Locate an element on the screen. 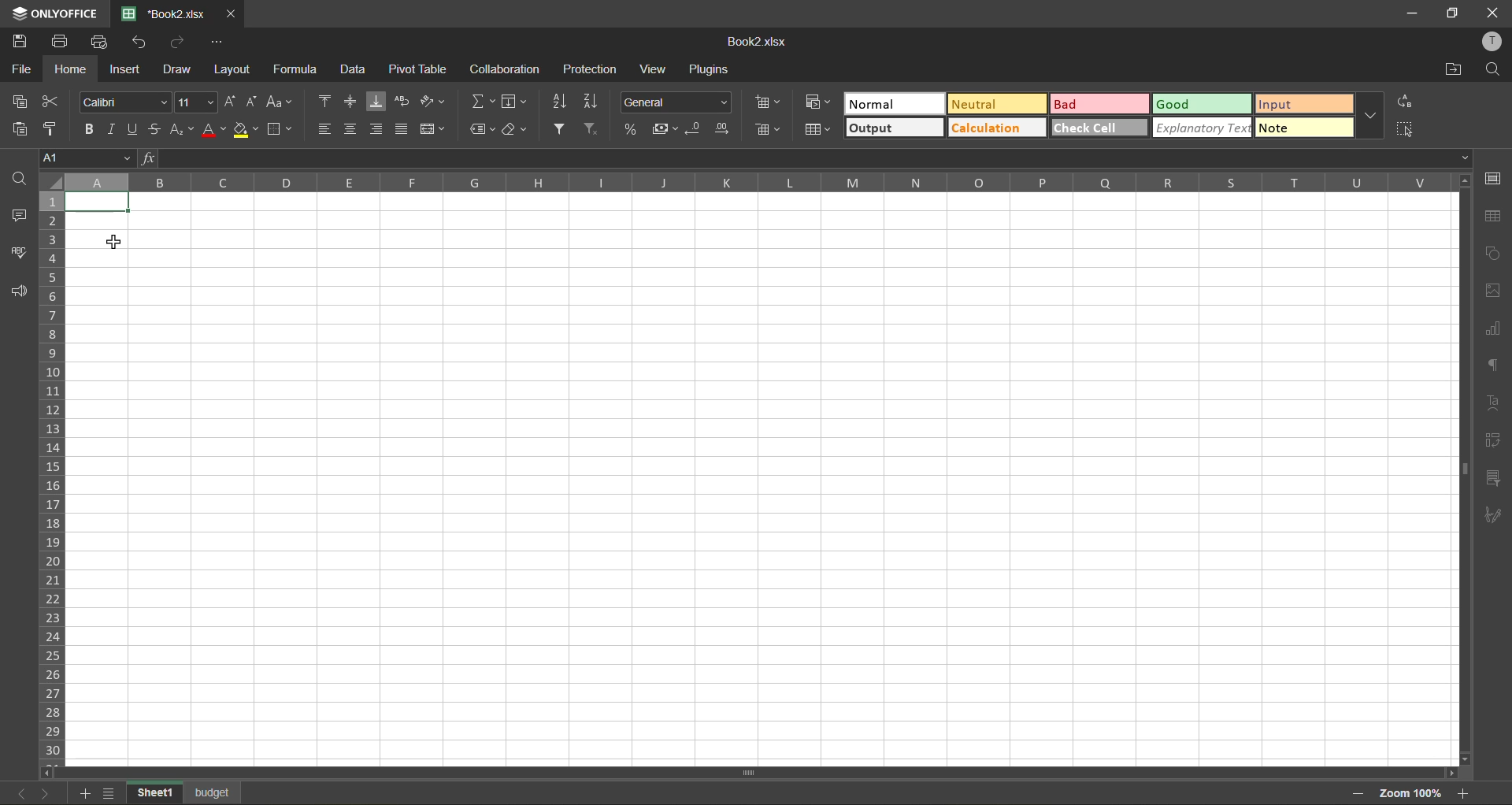 This screenshot has height=805, width=1512. protection is located at coordinates (589, 71).